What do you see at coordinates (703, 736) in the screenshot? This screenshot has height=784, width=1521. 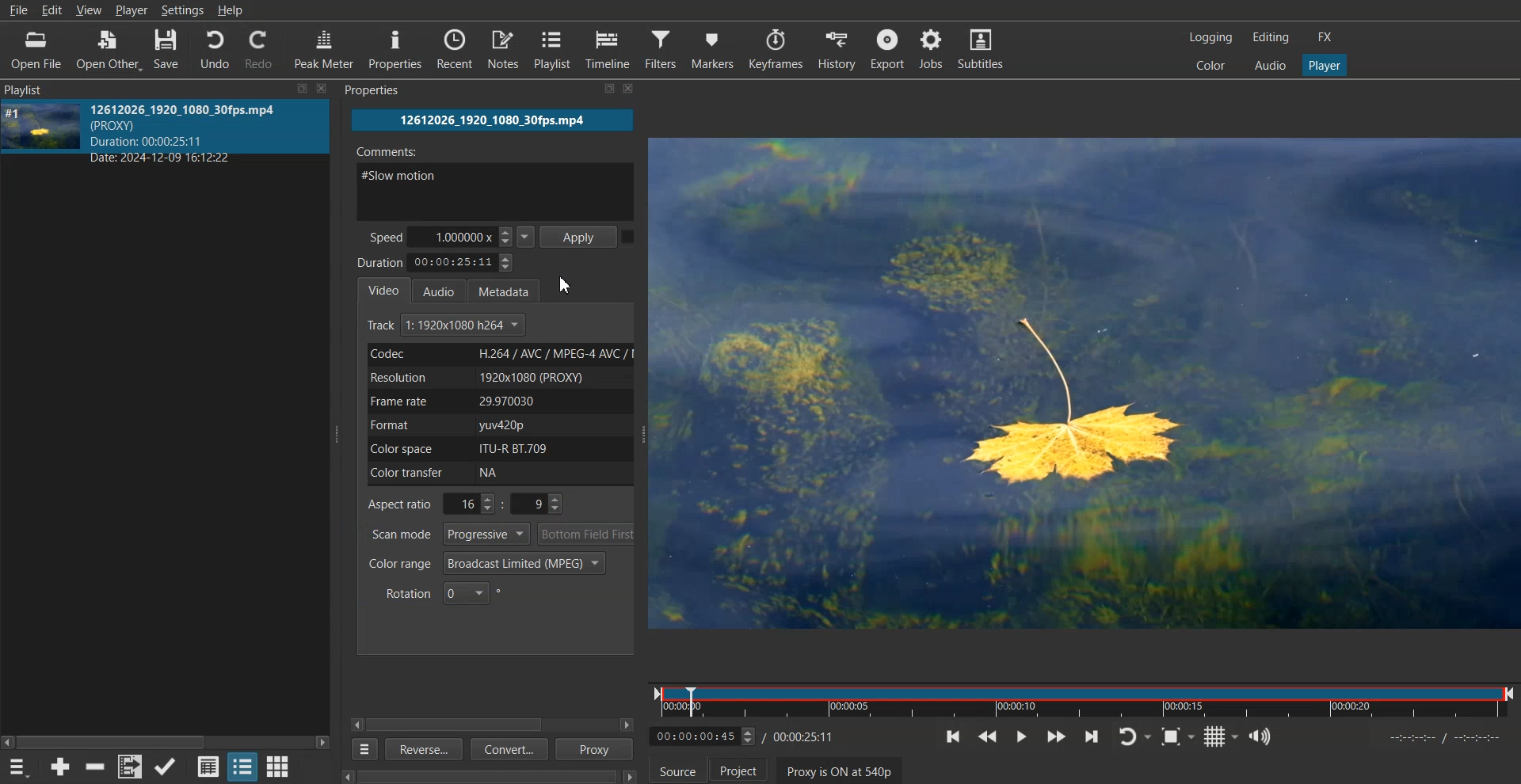 I see `Video Time adjuster` at bounding box center [703, 736].